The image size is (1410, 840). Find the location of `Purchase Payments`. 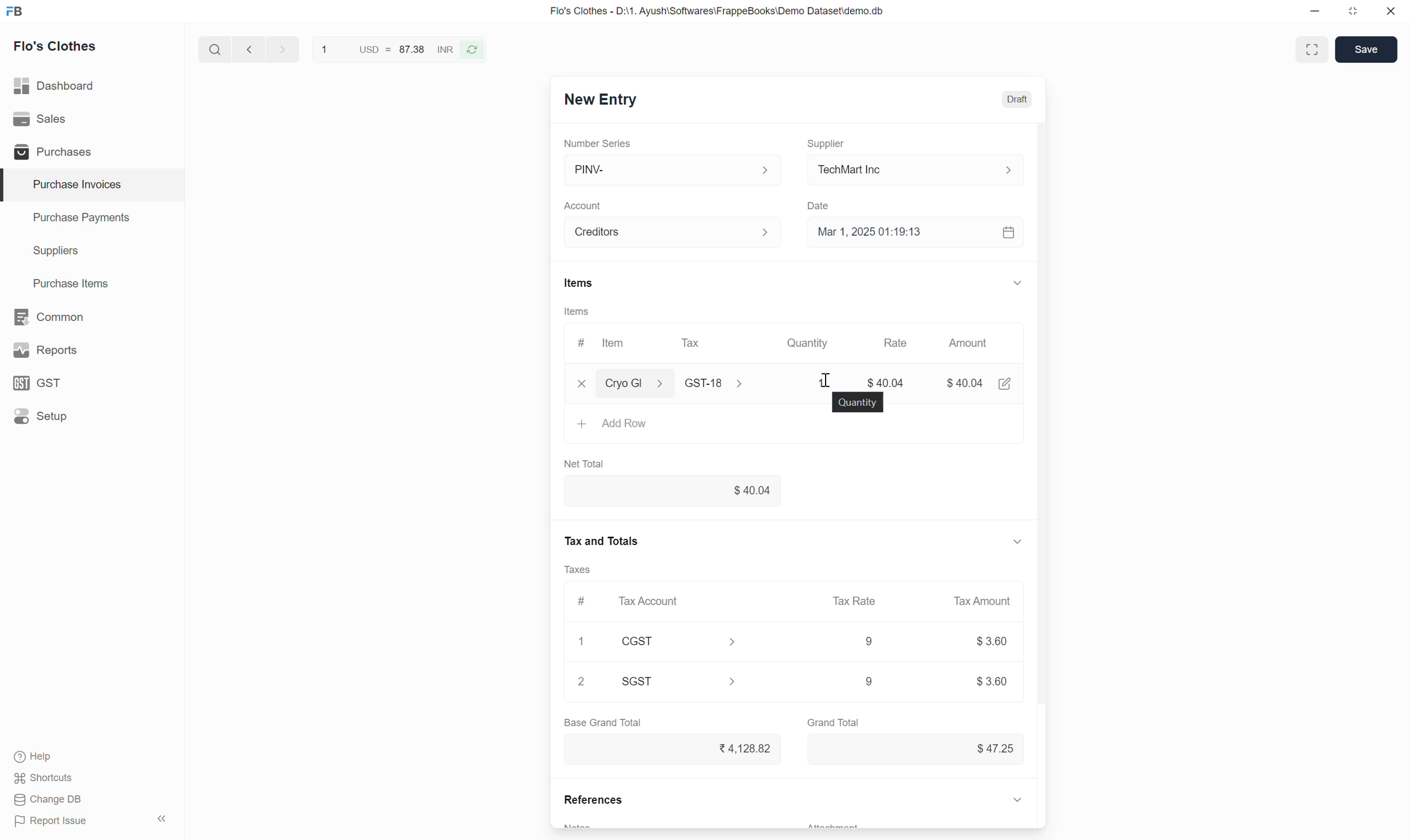

Purchase Payments is located at coordinates (80, 220).